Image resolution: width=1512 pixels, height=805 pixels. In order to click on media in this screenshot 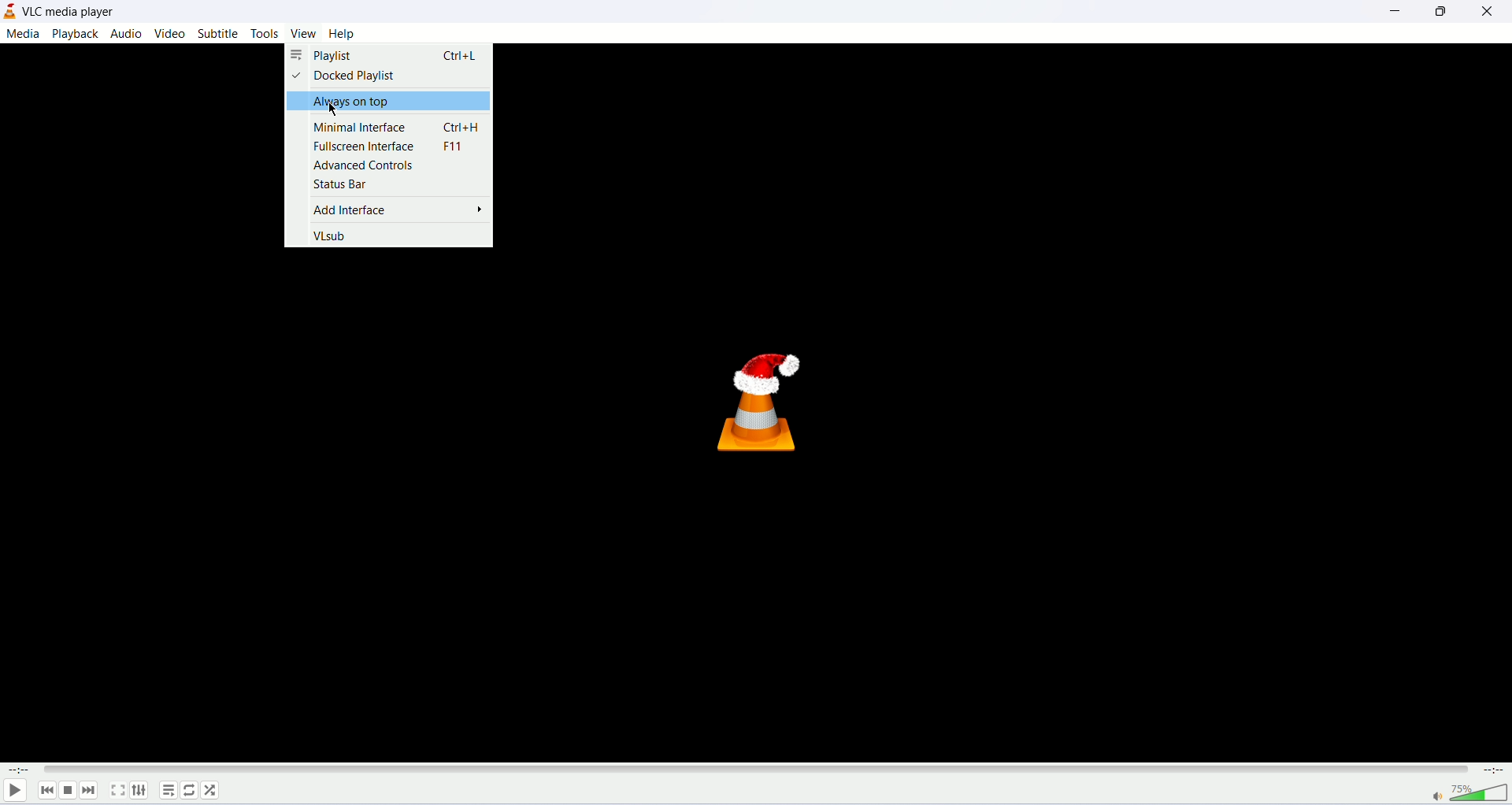, I will do `click(24, 35)`.